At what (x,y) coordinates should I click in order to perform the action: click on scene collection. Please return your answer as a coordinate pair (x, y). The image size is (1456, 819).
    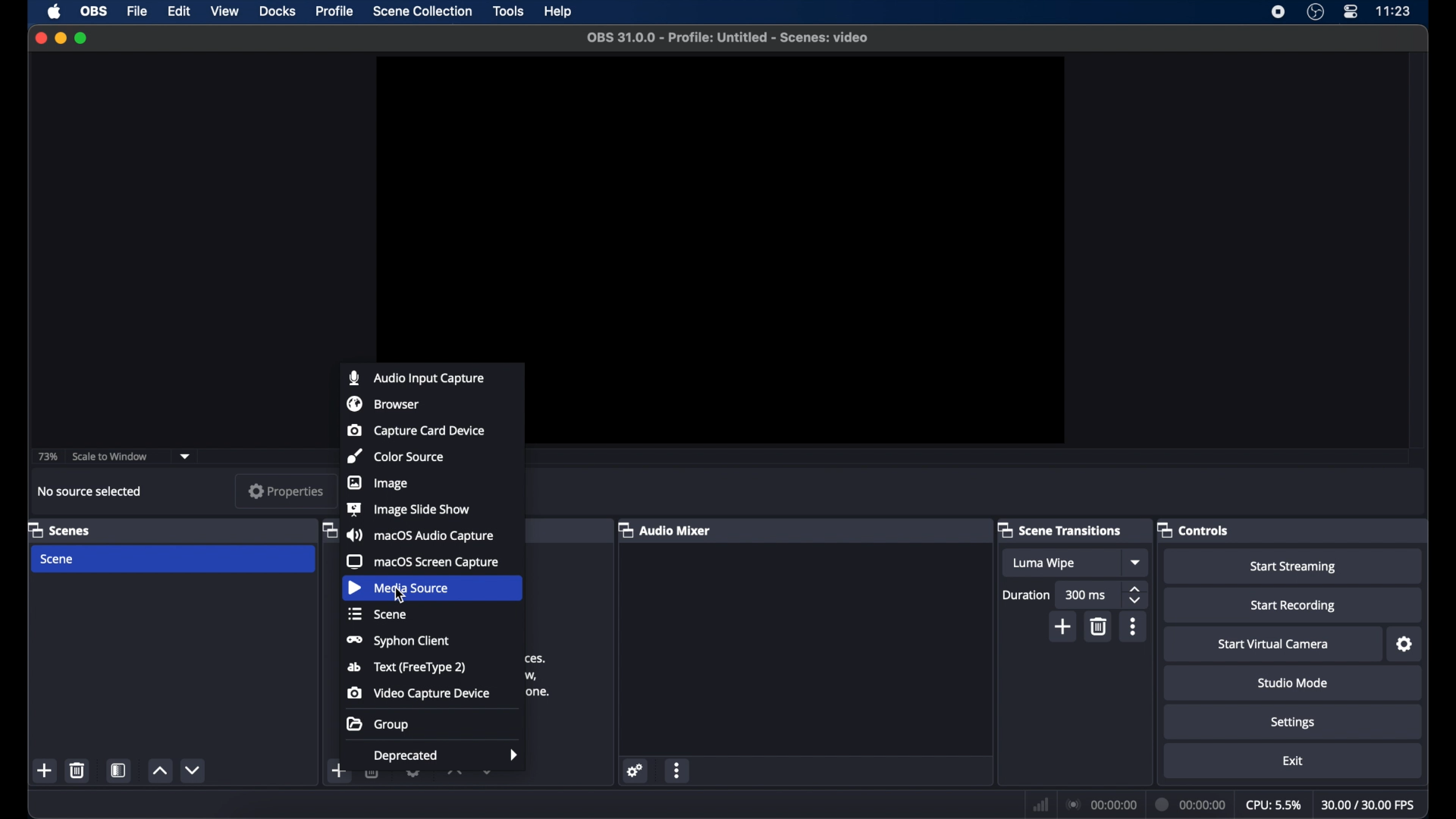
    Looking at the image, I should click on (422, 11).